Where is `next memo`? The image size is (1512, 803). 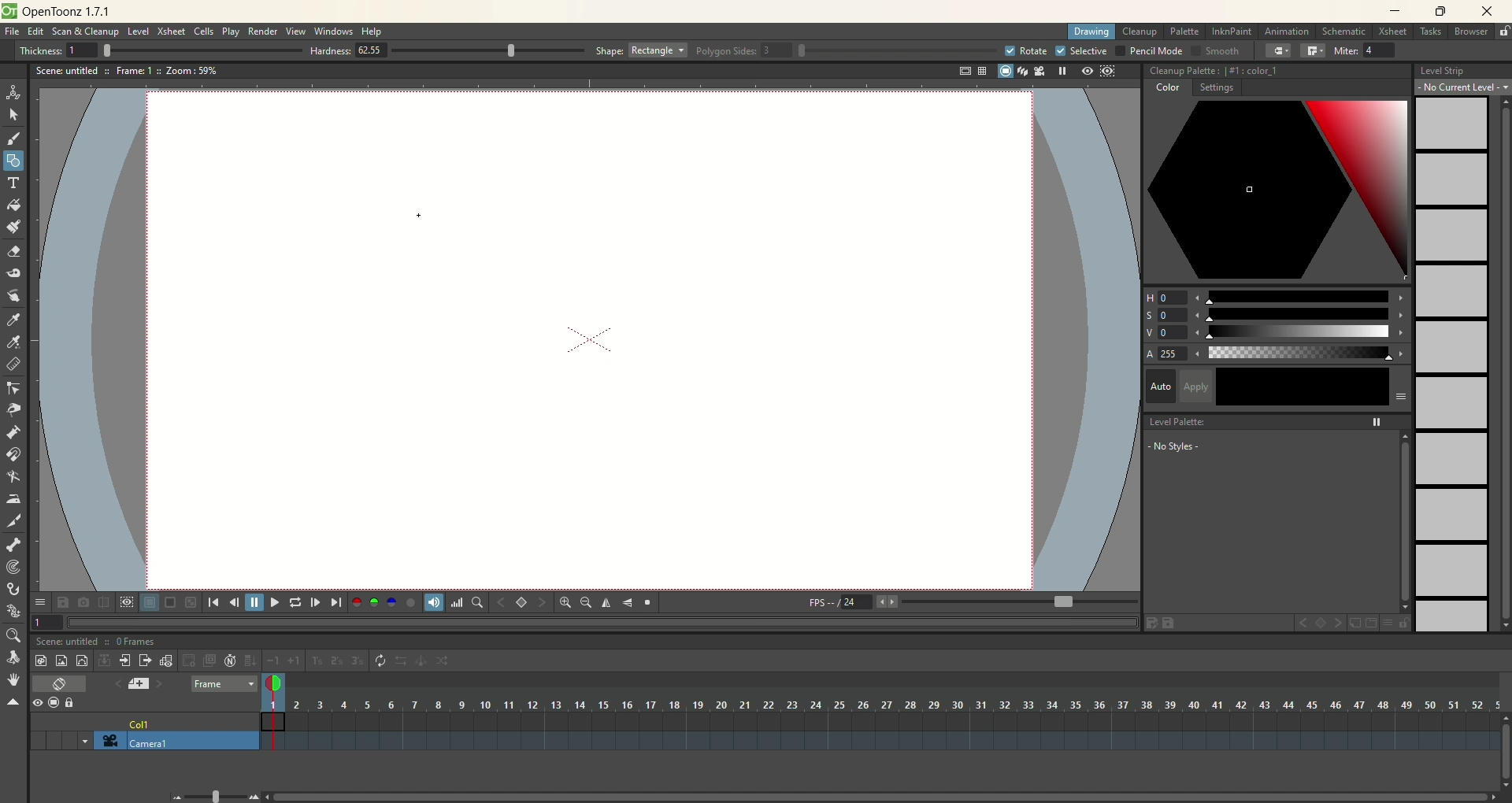
next memo is located at coordinates (160, 686).